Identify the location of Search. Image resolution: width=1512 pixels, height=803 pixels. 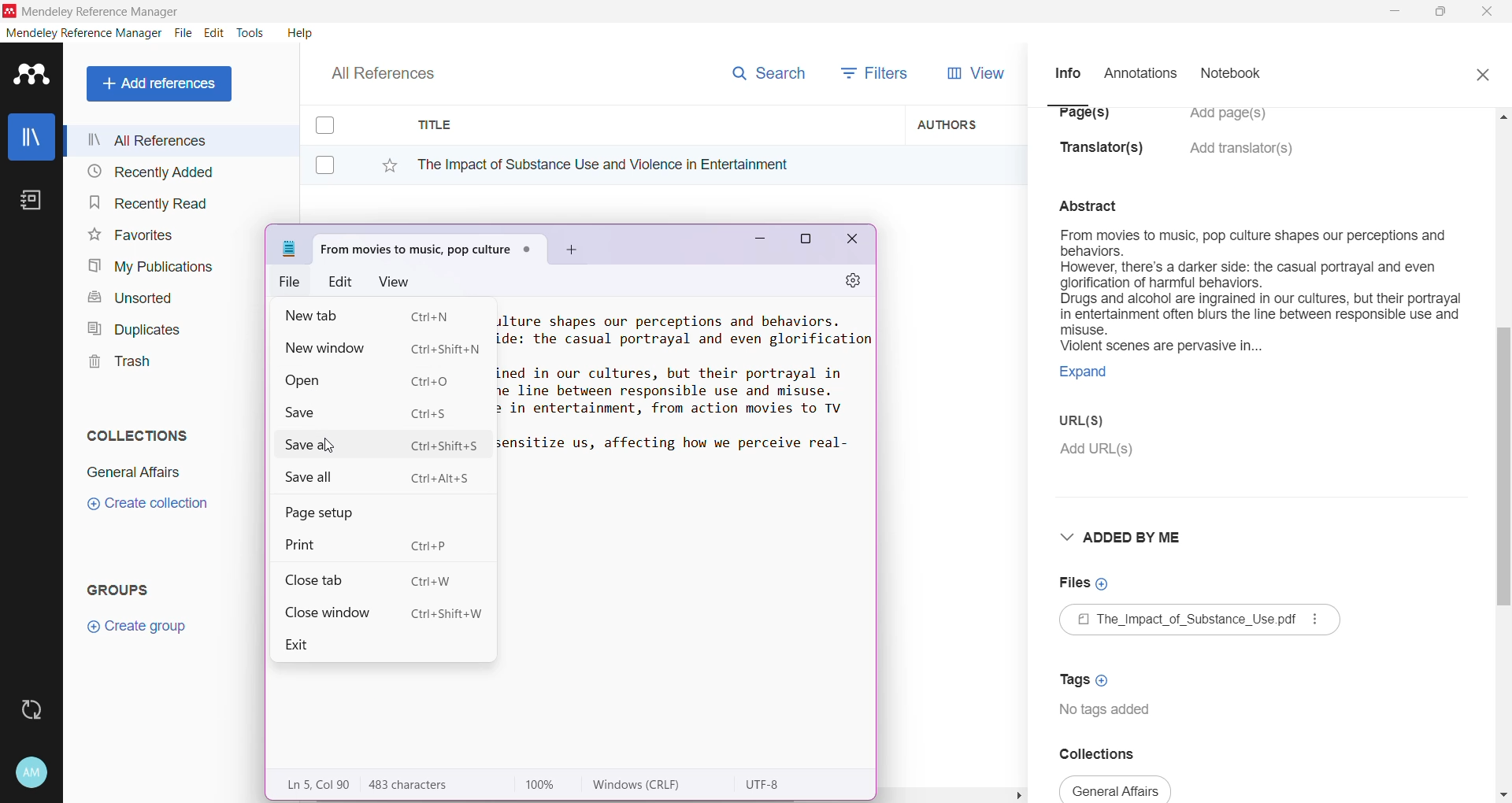
(768, 70).